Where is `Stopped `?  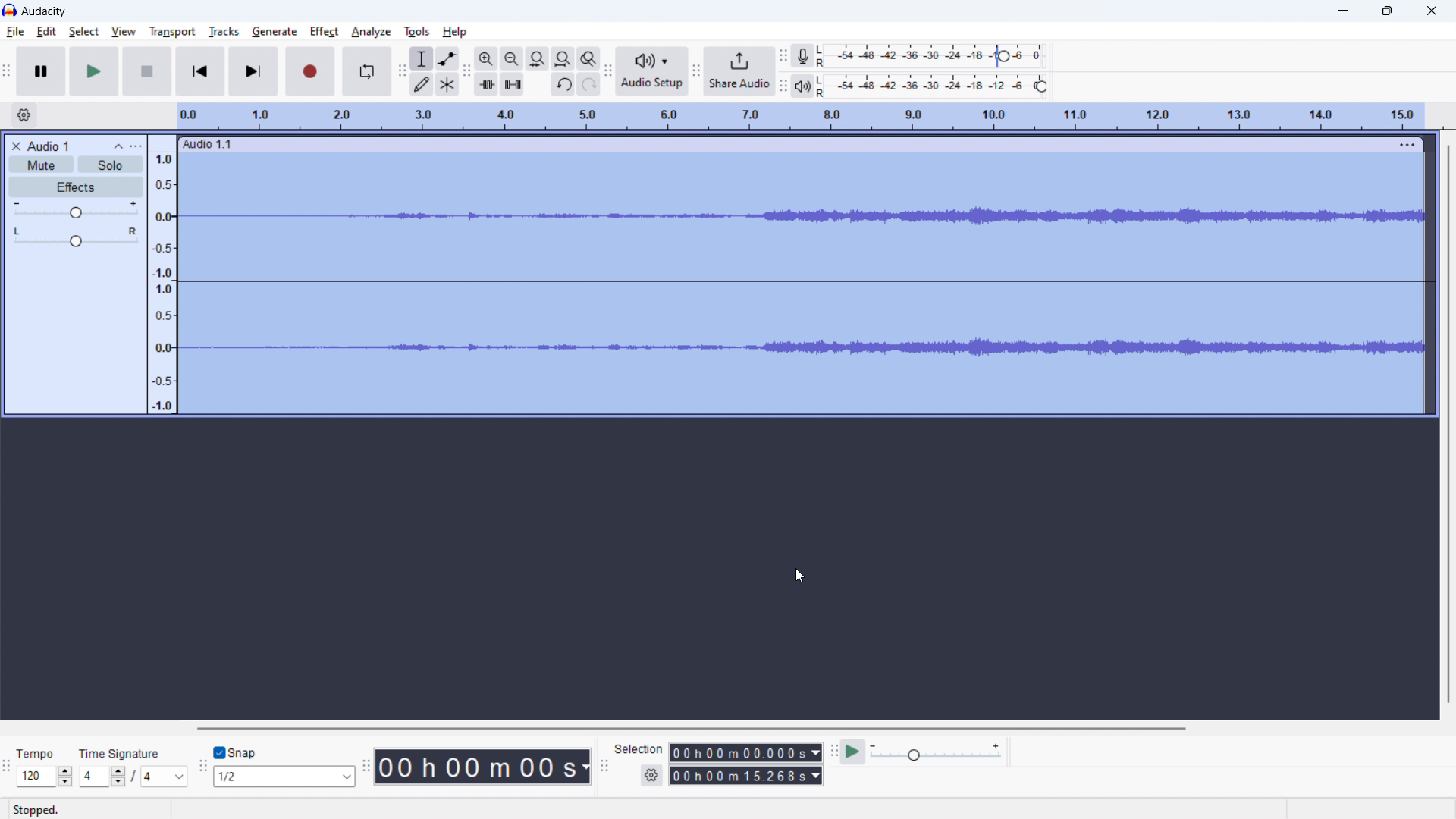 Stopped  is located at coordinates (39, 810).